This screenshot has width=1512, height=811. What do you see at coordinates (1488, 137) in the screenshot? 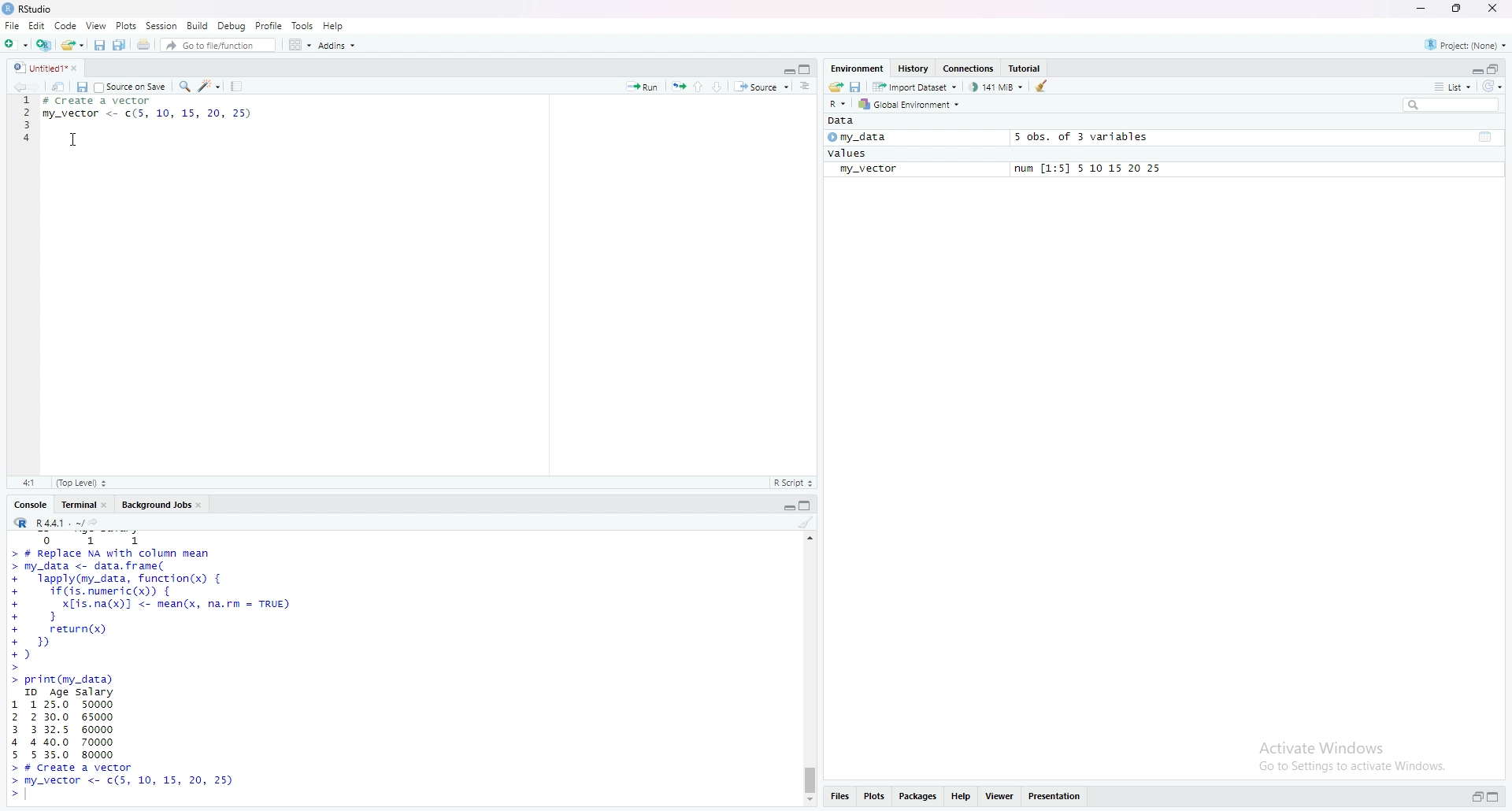
I see `collapse` at bounding box center [1488, 137].